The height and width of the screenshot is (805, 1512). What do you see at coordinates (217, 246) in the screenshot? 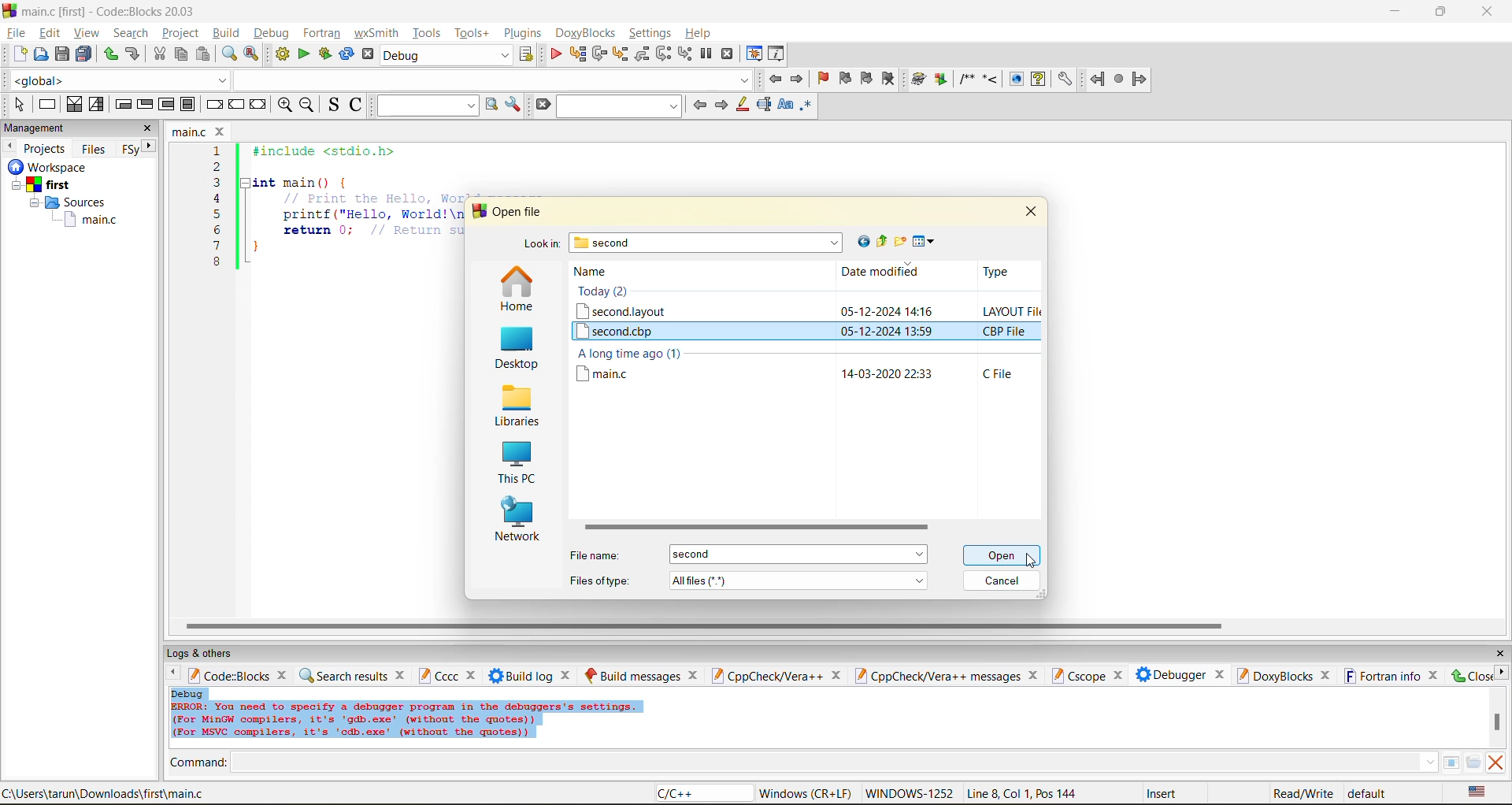
I see `7` at bounding box center [217, 246].